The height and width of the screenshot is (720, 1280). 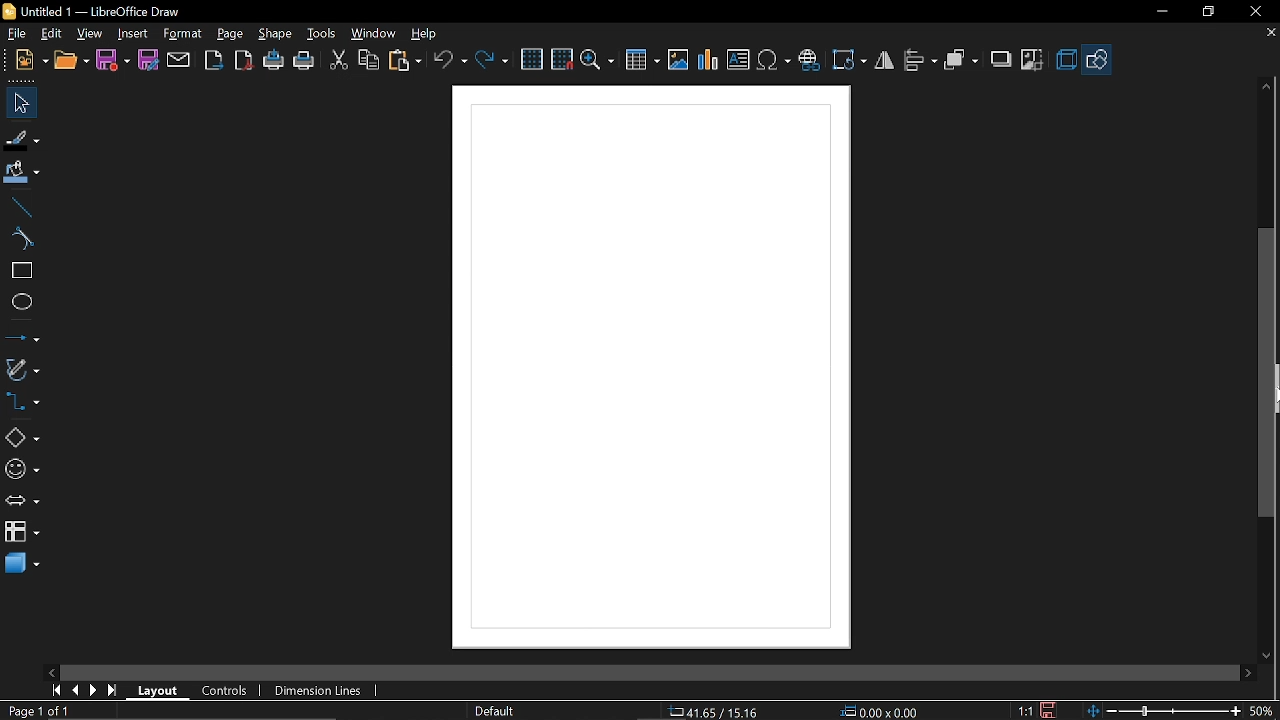 I want to click on next page, so click(x=96, y=691).